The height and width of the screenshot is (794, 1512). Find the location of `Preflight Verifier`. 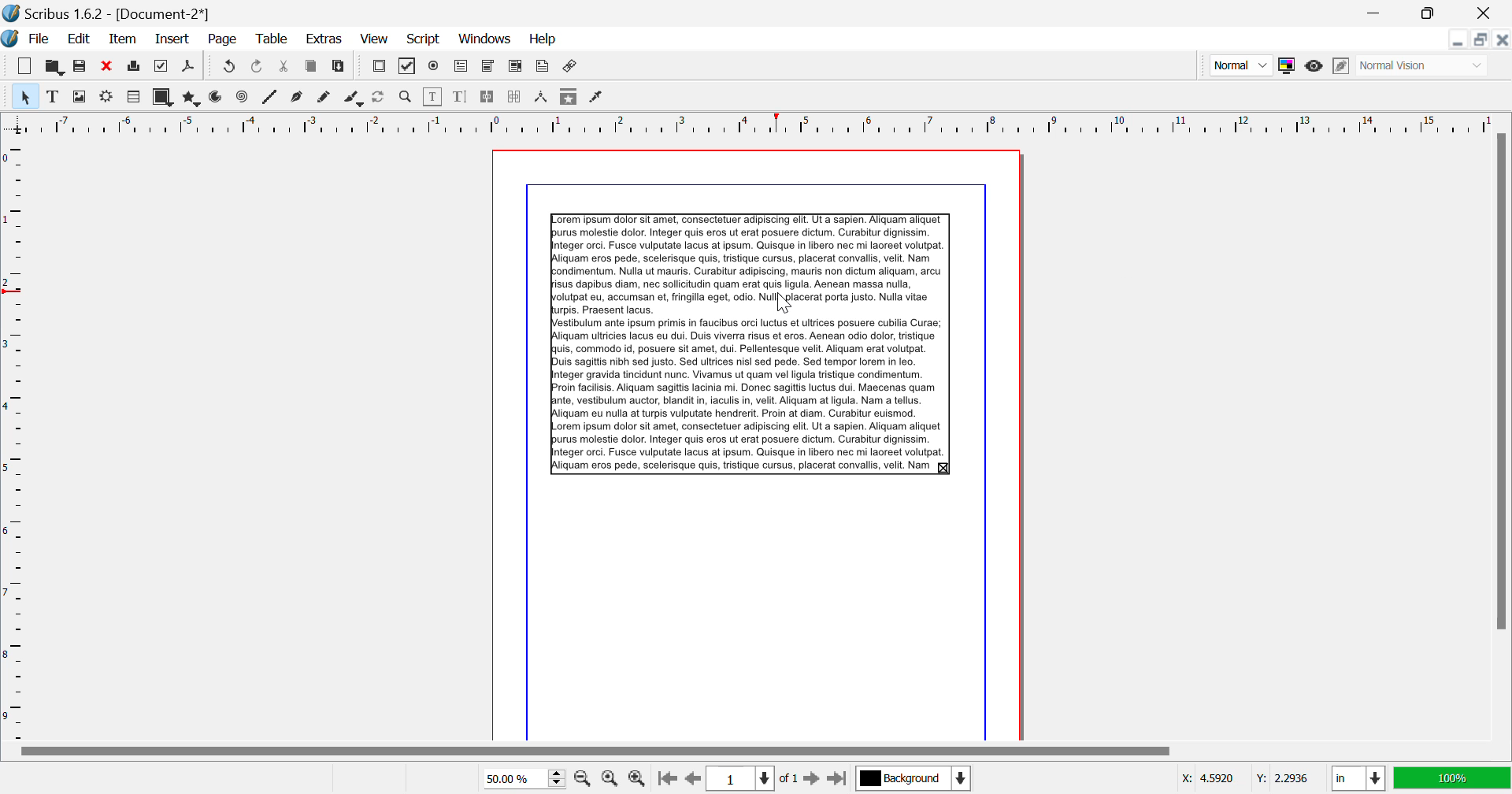

Preflight Verifier is located at coordinates (162, 66).